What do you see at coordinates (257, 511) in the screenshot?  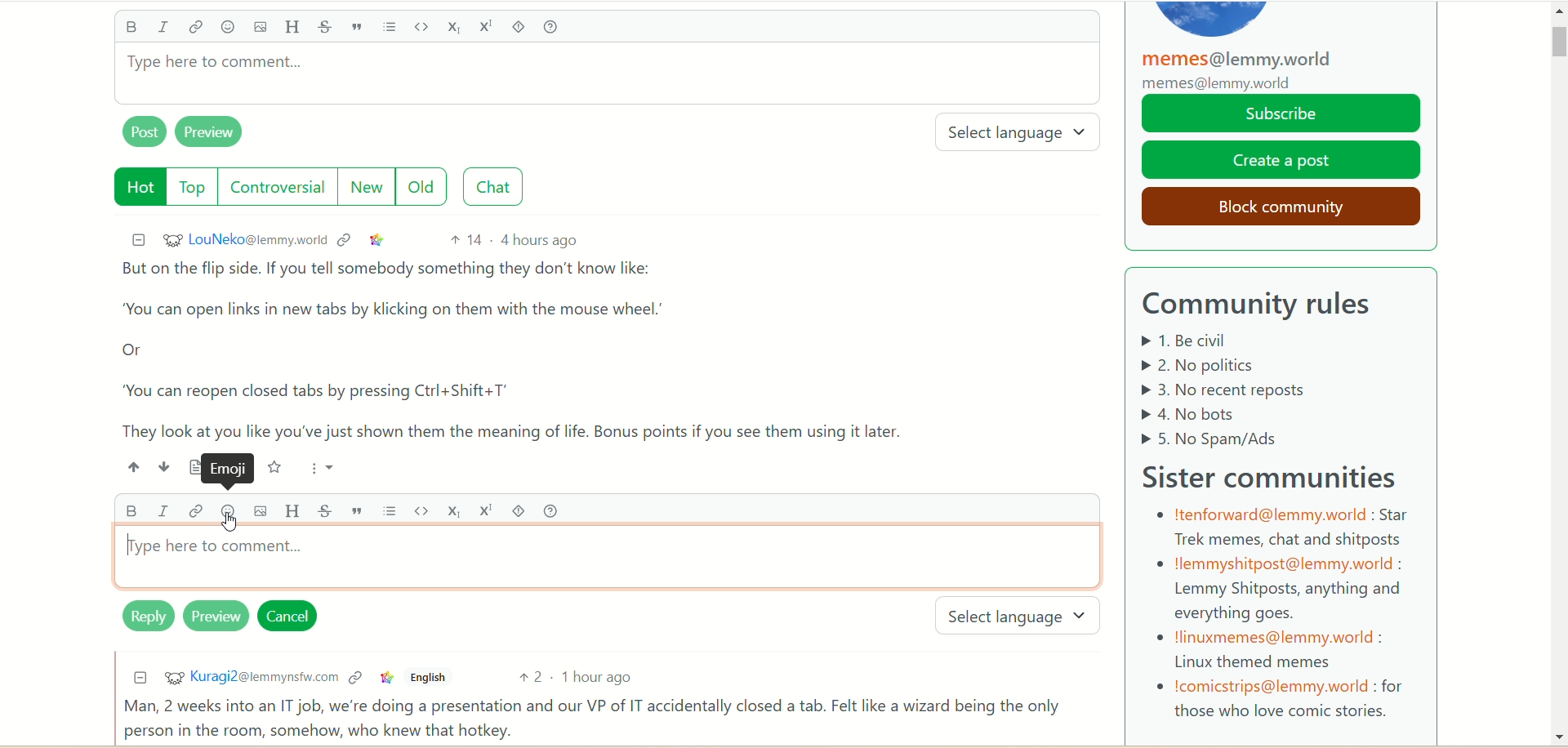 I see `image` at bounding box center [257, 511].